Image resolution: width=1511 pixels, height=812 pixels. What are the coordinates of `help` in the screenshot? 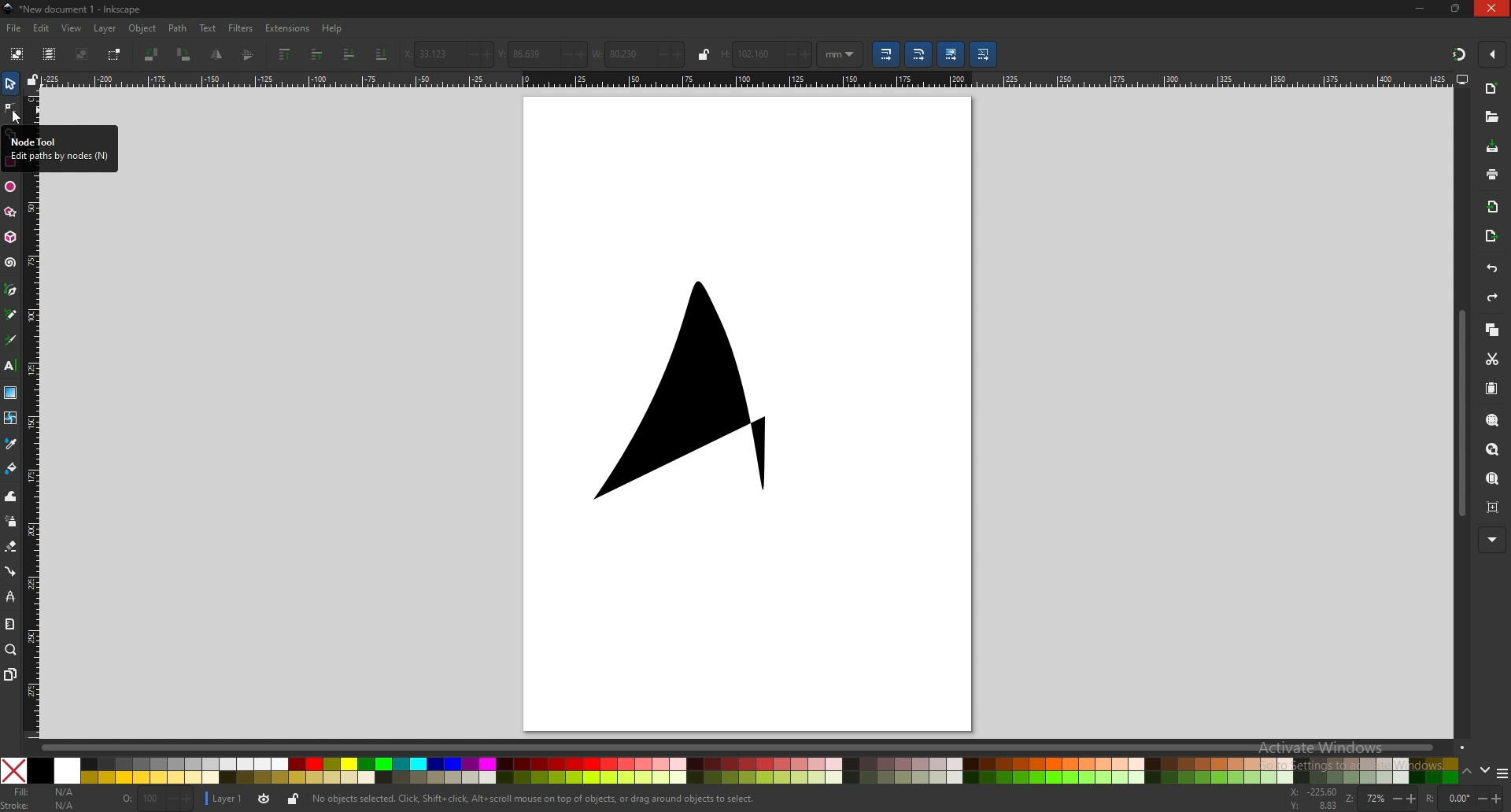 It's located at (332, 29).